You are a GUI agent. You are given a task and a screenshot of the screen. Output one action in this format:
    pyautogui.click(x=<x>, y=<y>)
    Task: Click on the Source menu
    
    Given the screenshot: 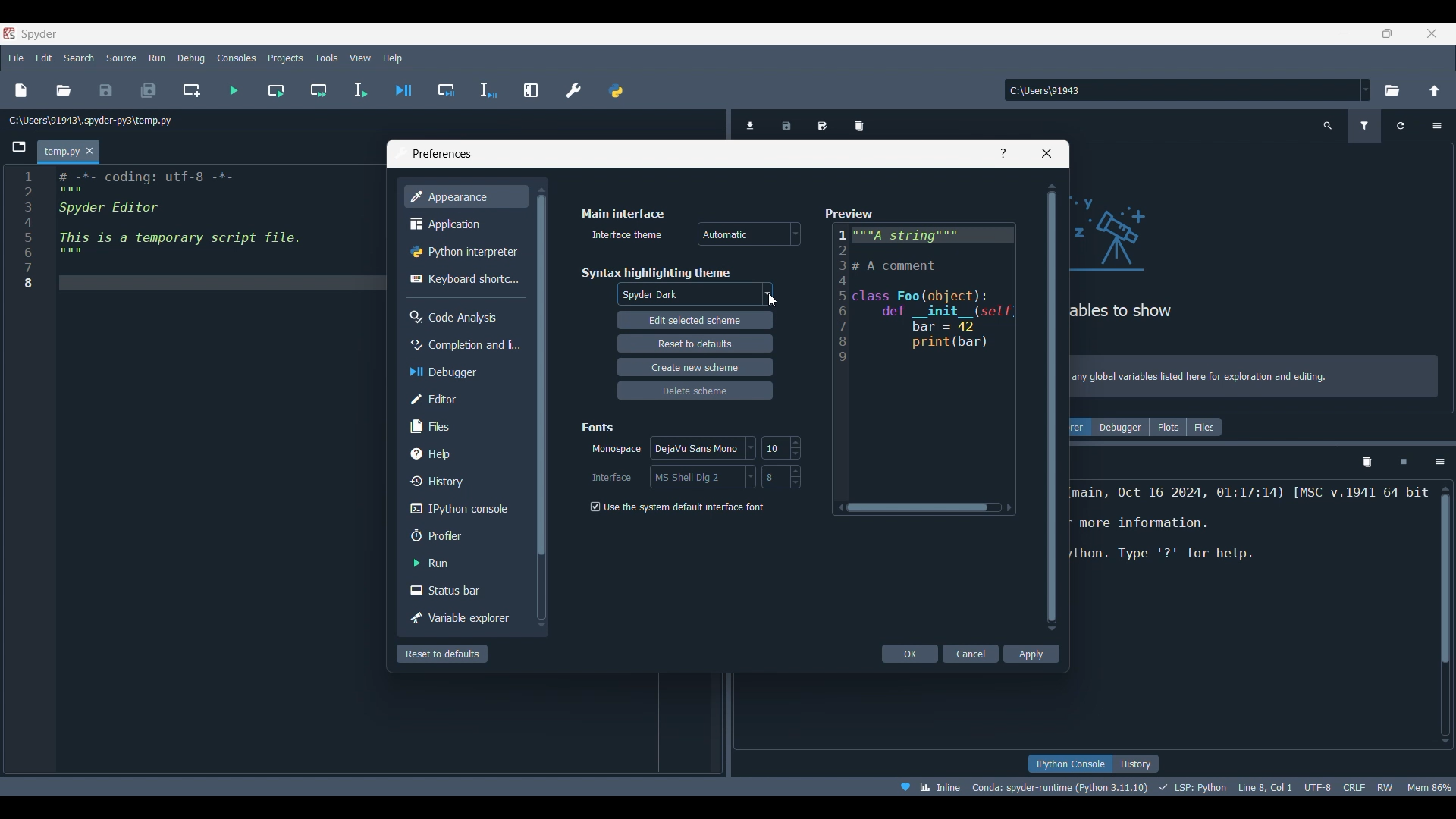 What is the action you would take?
    pyautogui.click(x=122, y=57)
    